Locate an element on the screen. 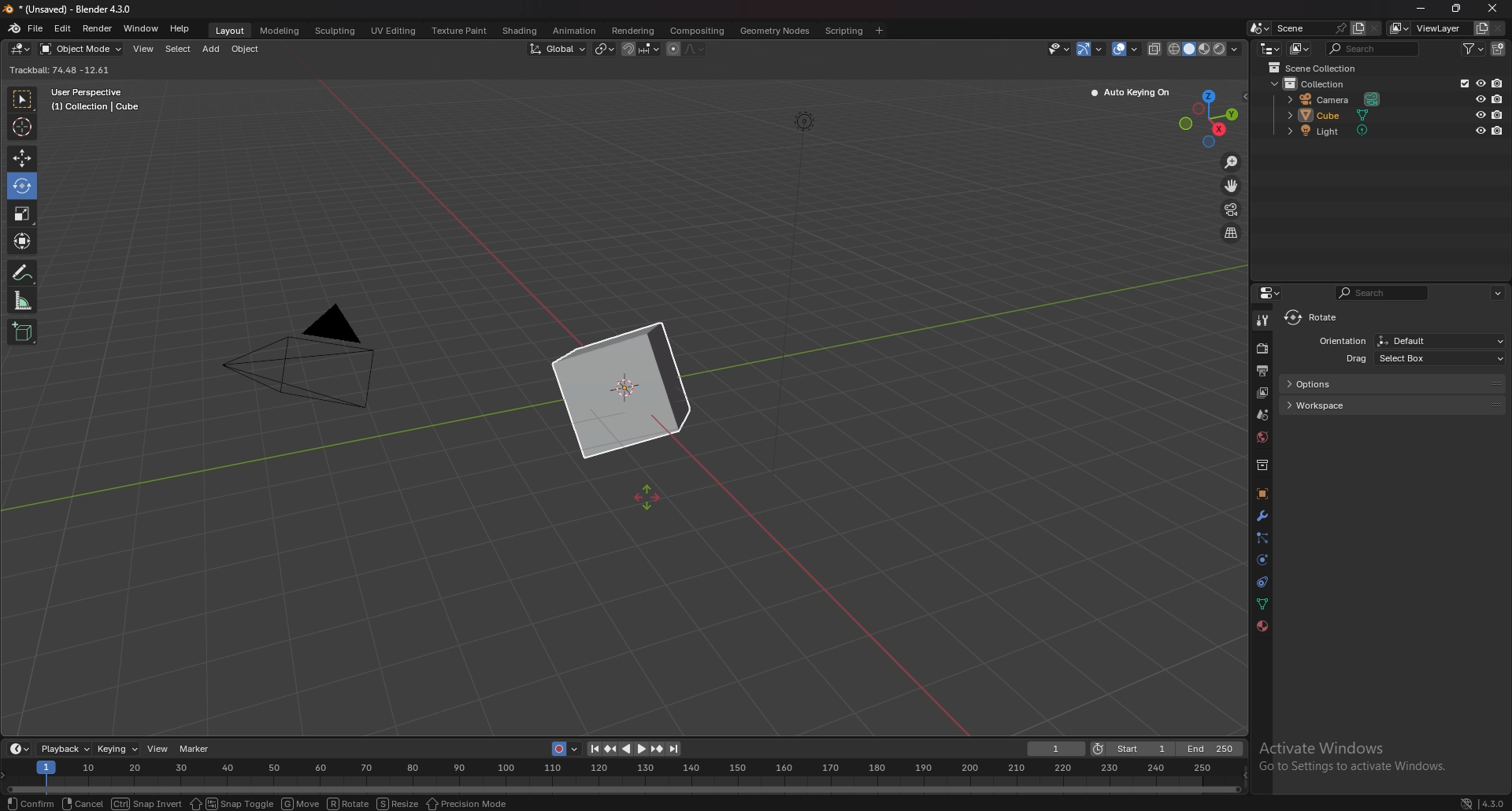  camera is located at coordinates (1337, 98).